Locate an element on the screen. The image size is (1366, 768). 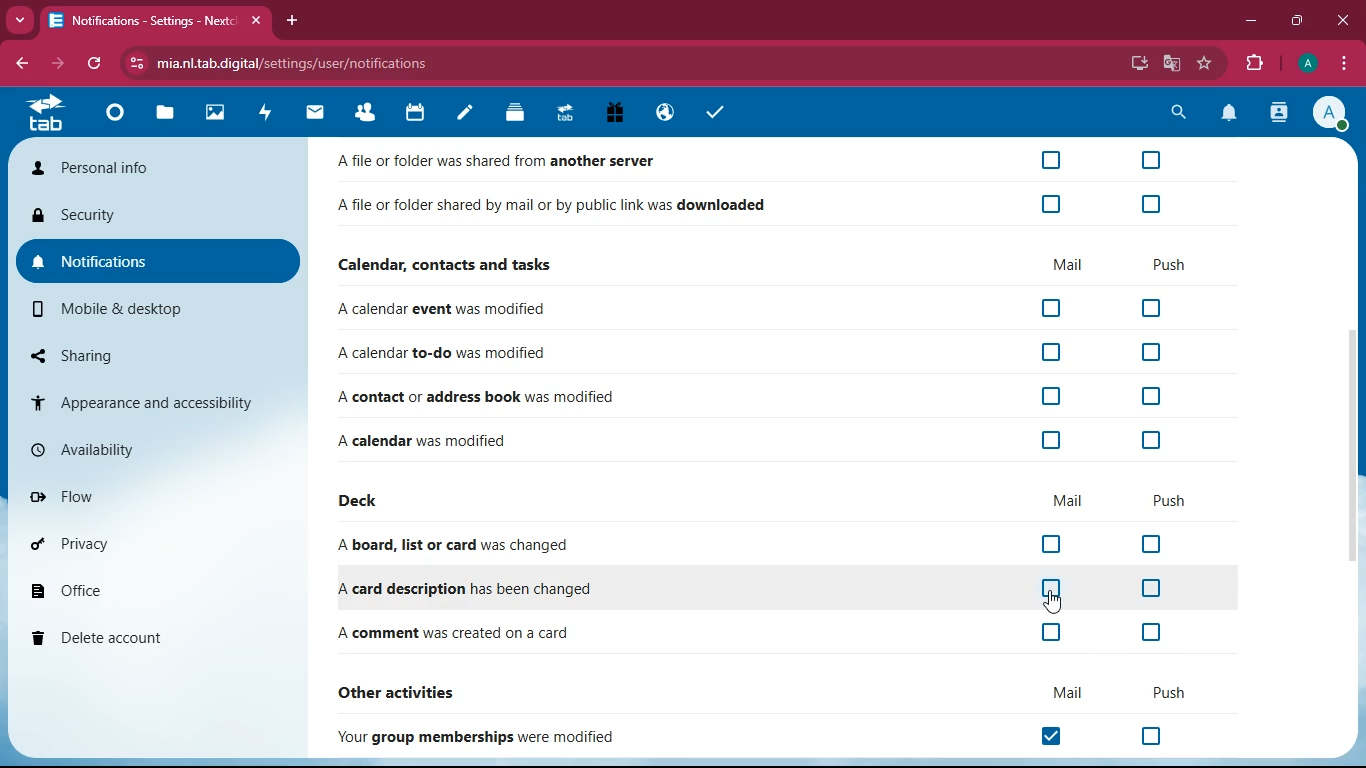
off is located at coordinates (1052, 309).